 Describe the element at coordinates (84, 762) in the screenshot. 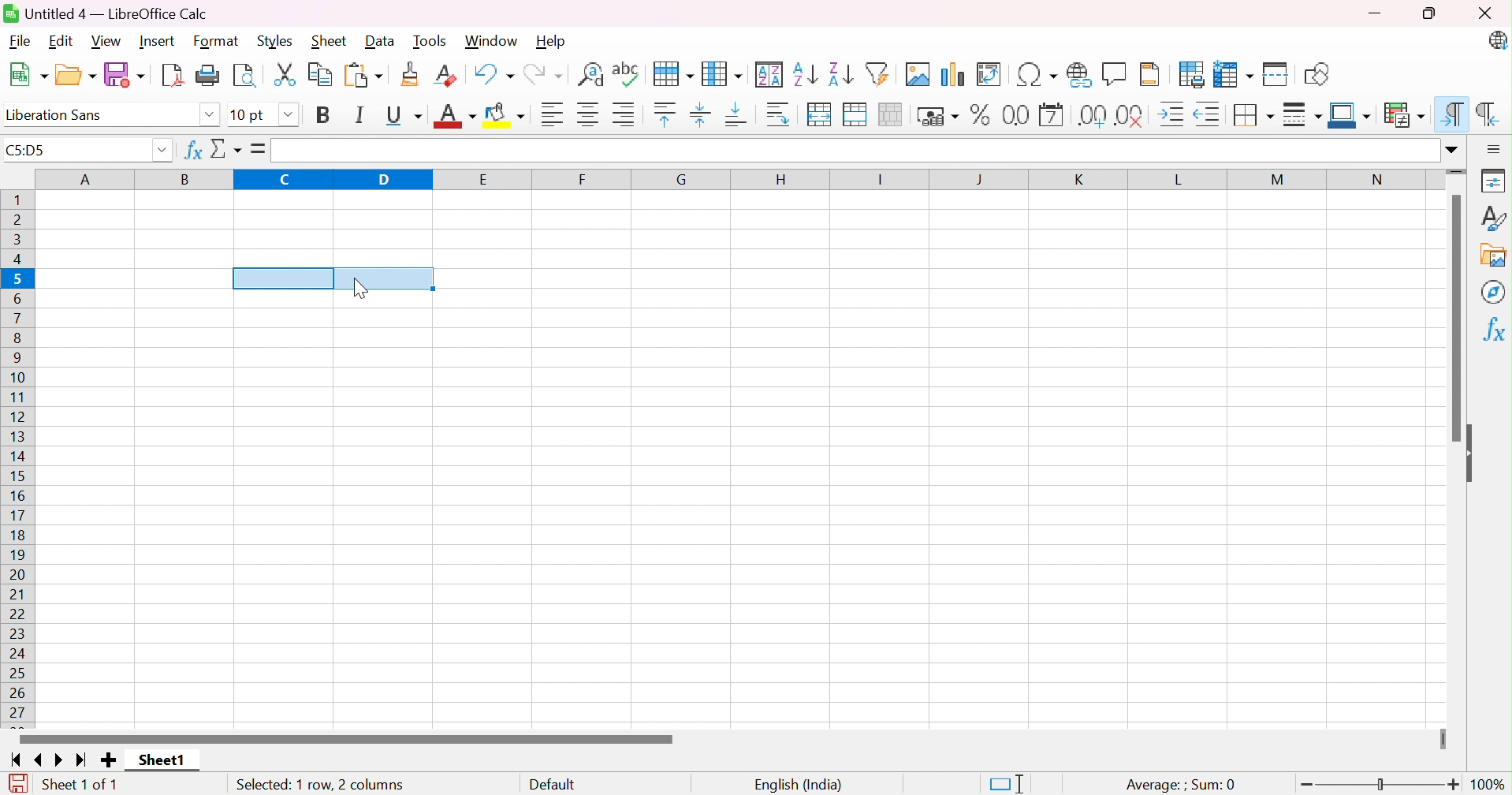

I see `Scroll to last sheet` at that location.